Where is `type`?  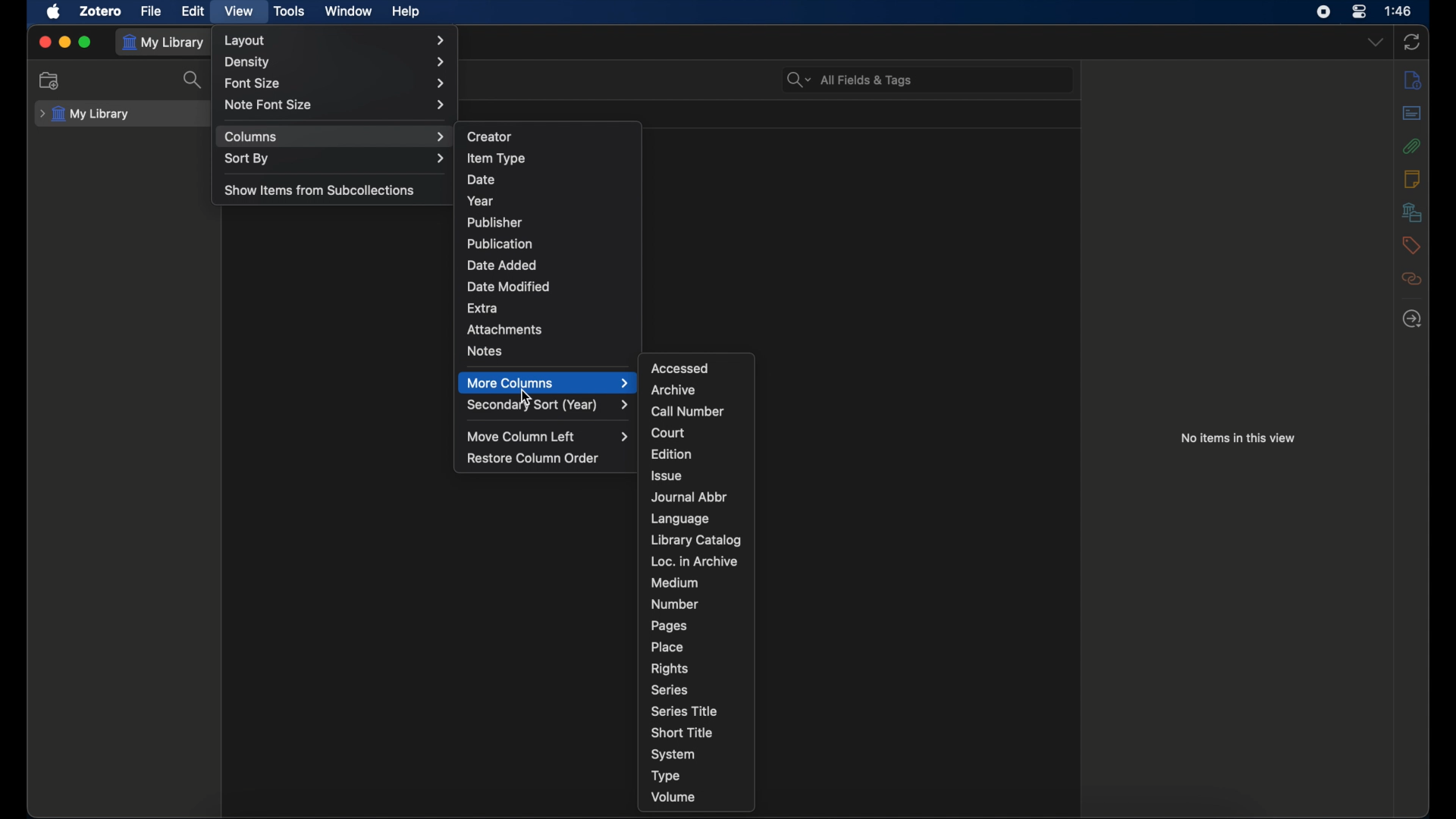 type is located at coordinates (666, 775).